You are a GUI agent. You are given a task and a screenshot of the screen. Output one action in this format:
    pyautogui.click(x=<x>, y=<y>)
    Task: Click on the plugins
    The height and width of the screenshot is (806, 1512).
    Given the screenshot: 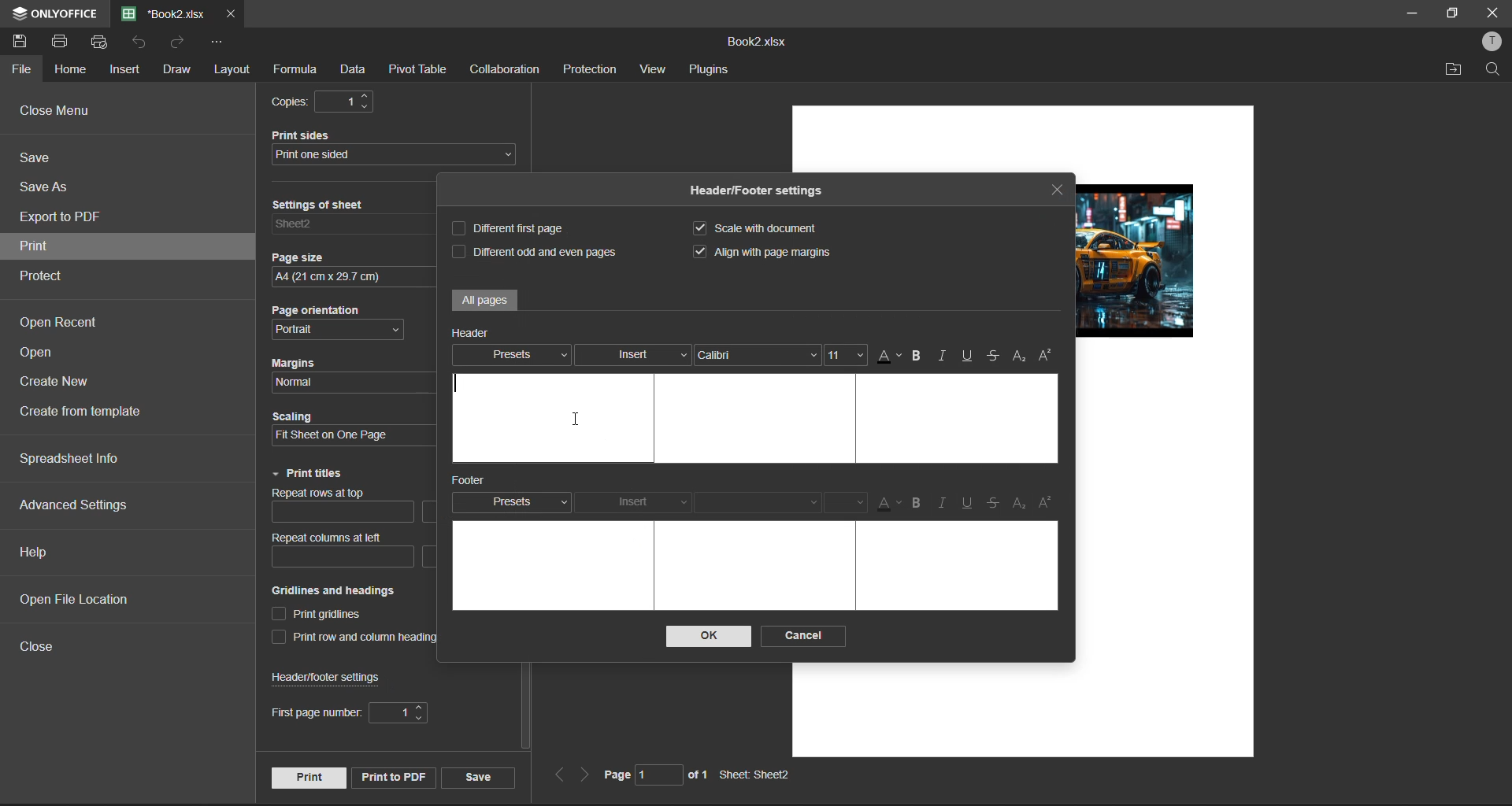 What is the action you would take?
    pyautogui.click(x=708, y=72)
    